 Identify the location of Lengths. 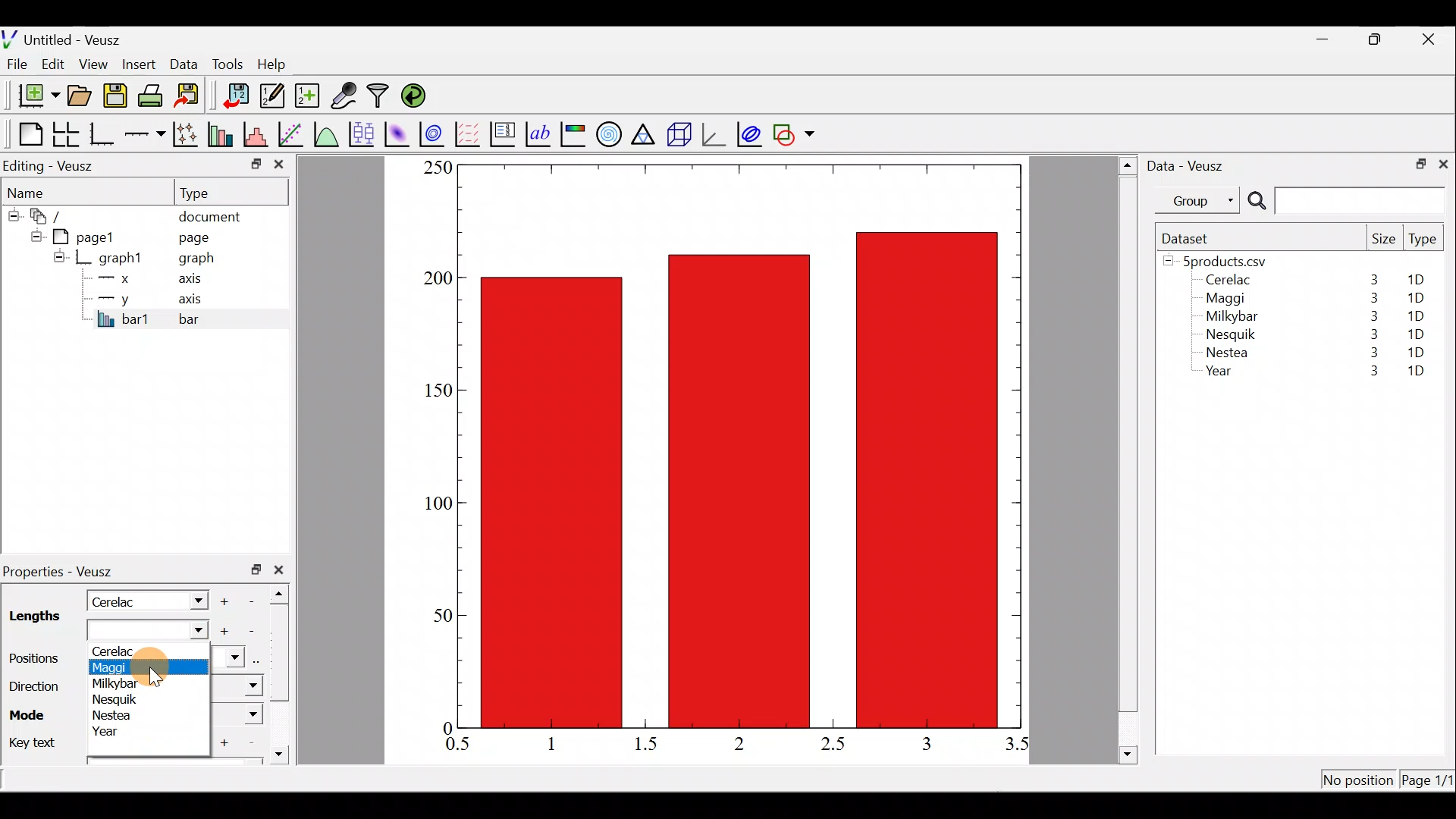
(33, 618).